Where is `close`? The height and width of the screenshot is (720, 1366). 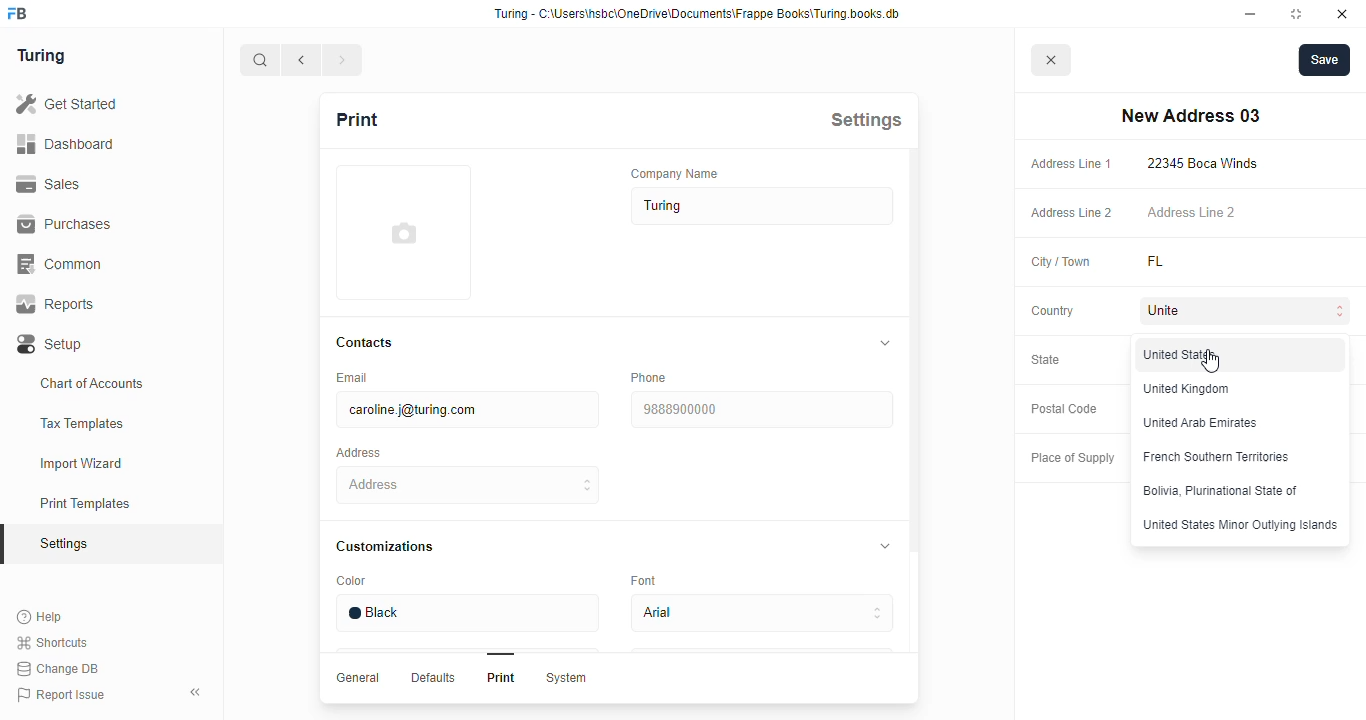 close is located at coordinates (1342, 14).